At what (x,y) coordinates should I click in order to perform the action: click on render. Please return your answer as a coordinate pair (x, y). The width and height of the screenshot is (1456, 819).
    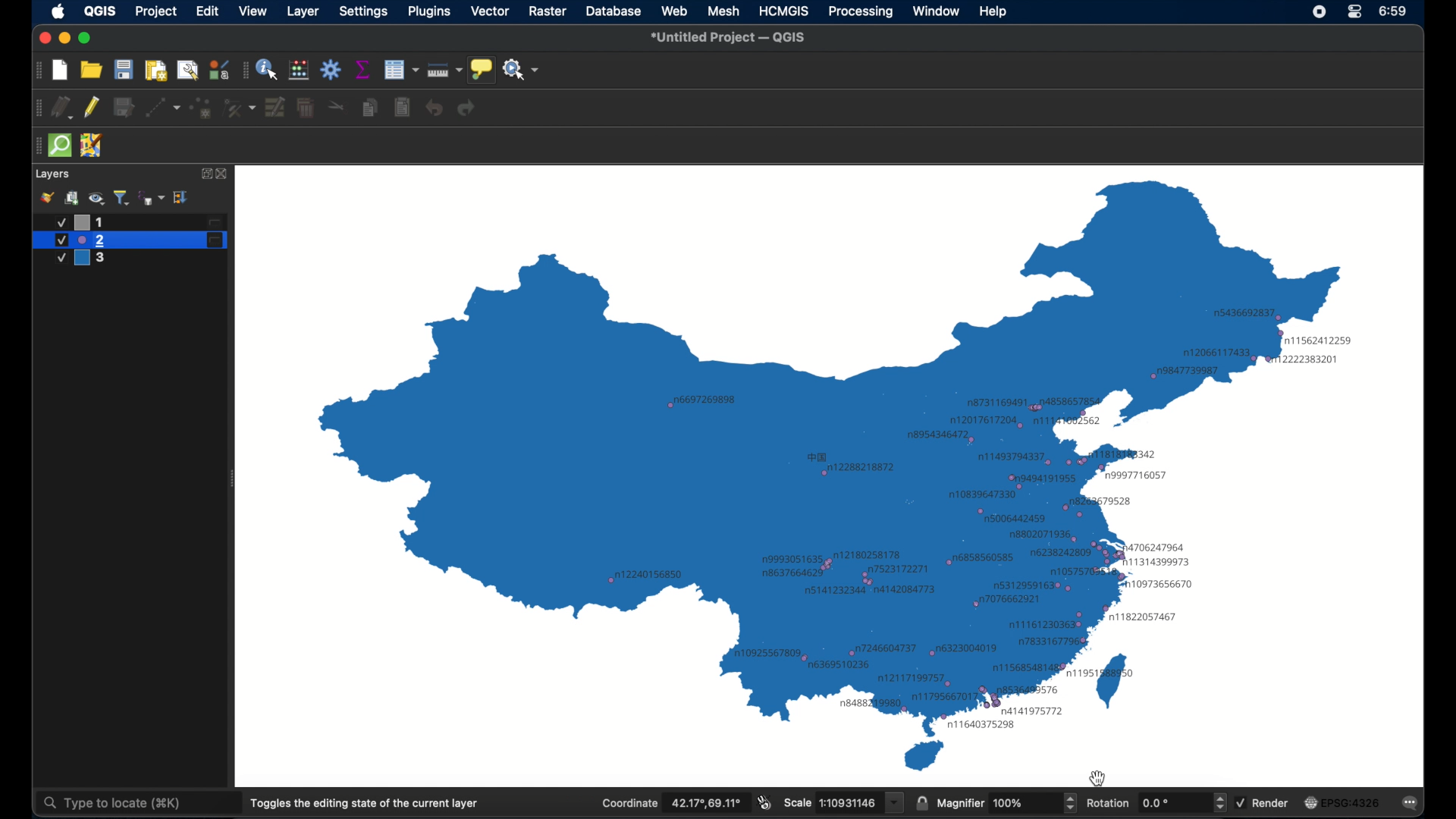
    Looking at the image, I should click on (1262, 801).